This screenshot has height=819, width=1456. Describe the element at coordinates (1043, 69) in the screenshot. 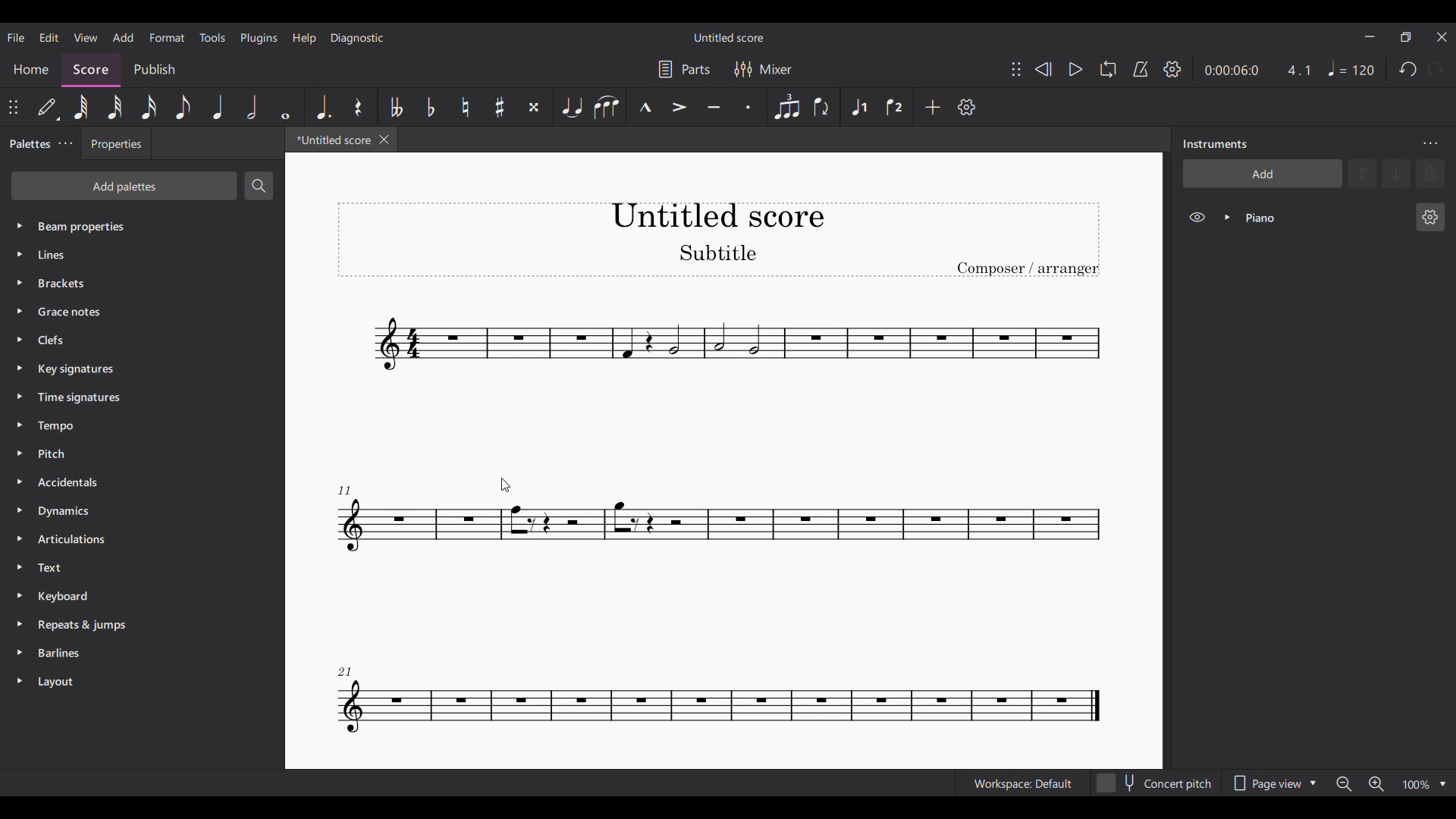

I see `Rewind` at that location.